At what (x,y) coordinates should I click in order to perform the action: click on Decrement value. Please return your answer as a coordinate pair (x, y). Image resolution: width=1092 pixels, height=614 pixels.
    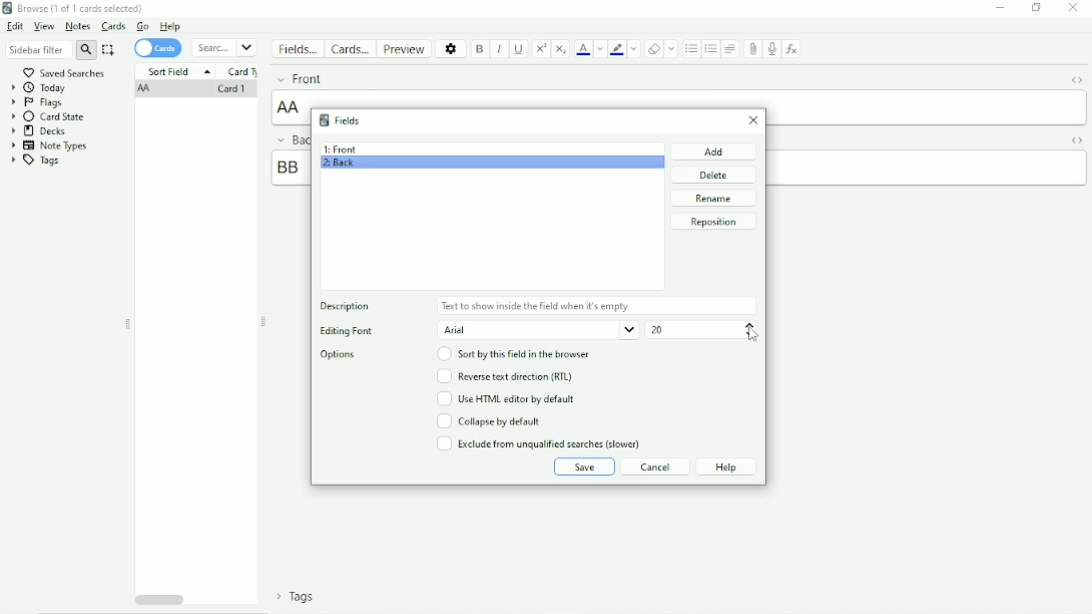
    Looking at the image, I should click on (750, 334).